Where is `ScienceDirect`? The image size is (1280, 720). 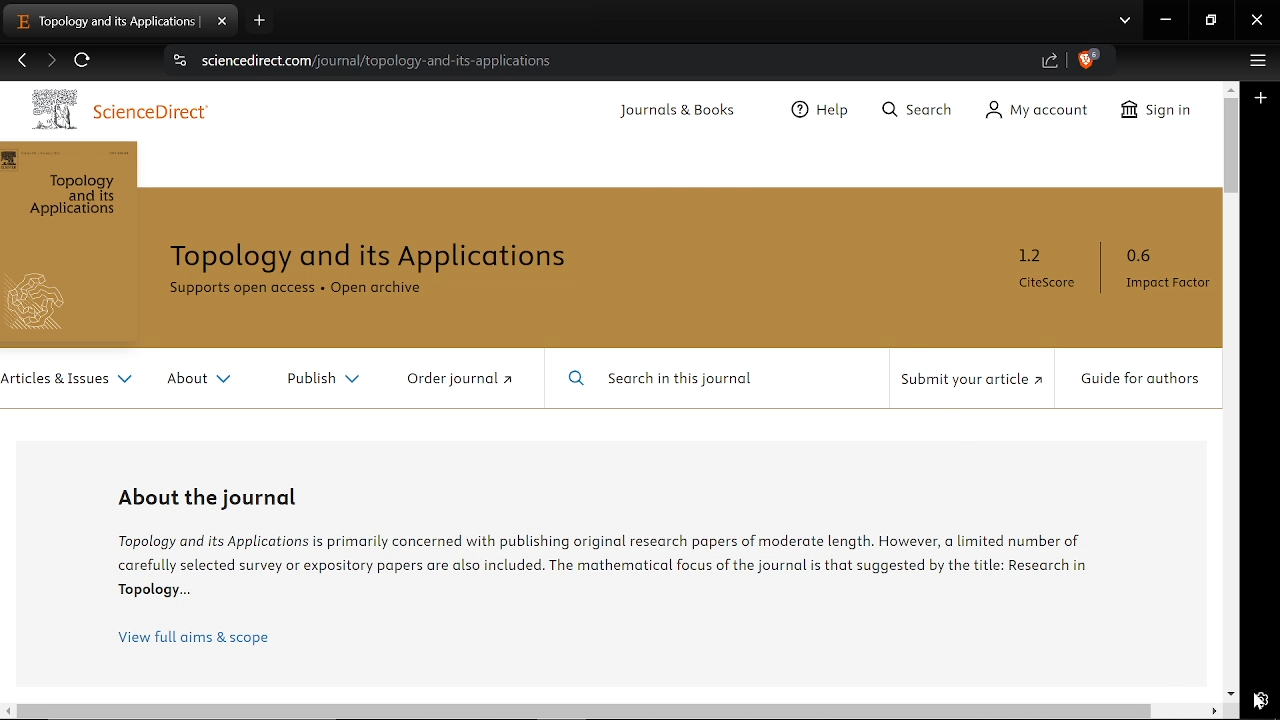 ScienceDirect is located at coordinates (149, 114).